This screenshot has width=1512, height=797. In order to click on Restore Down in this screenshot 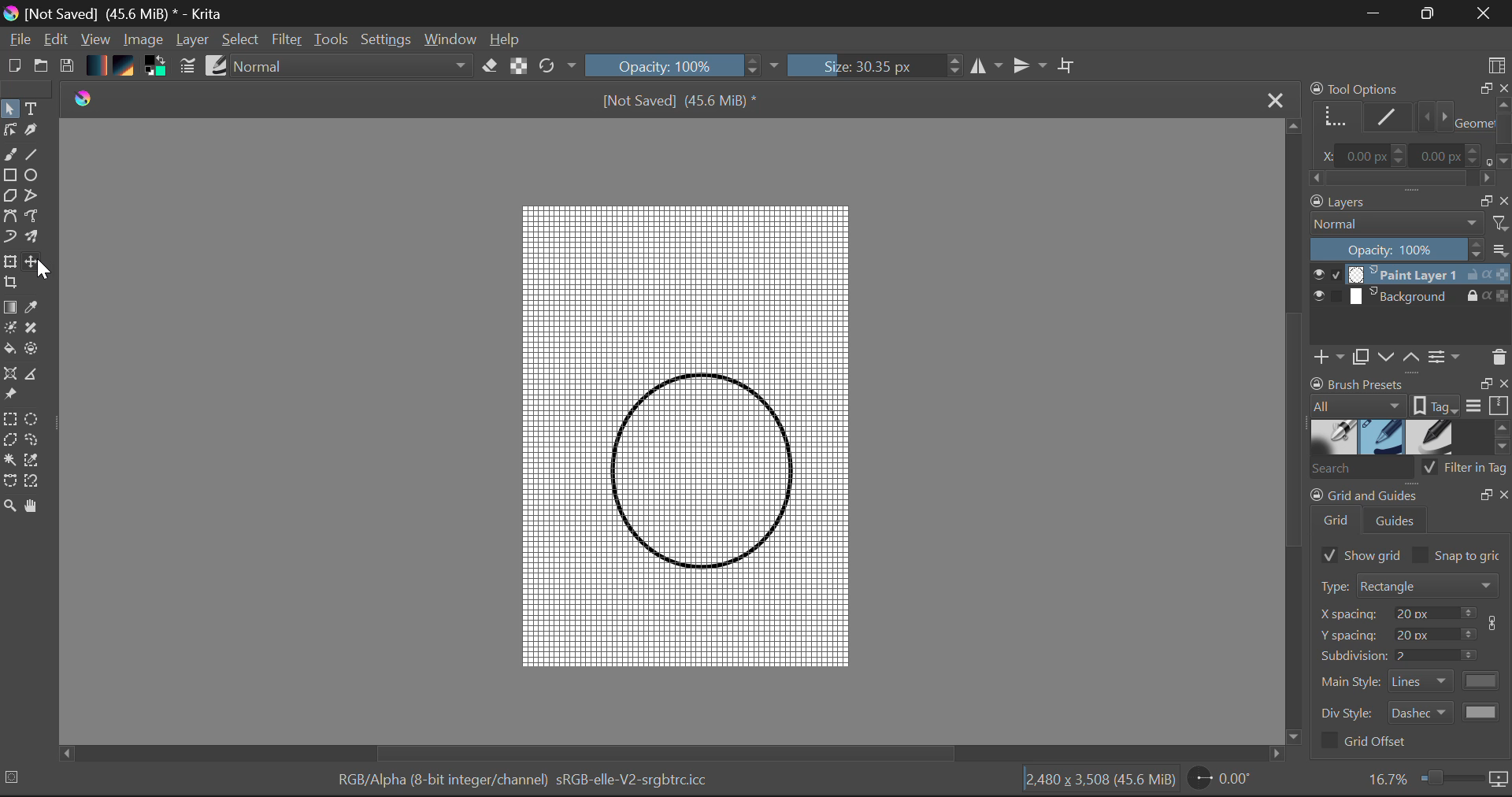, I will do `click(1374, 14)`.